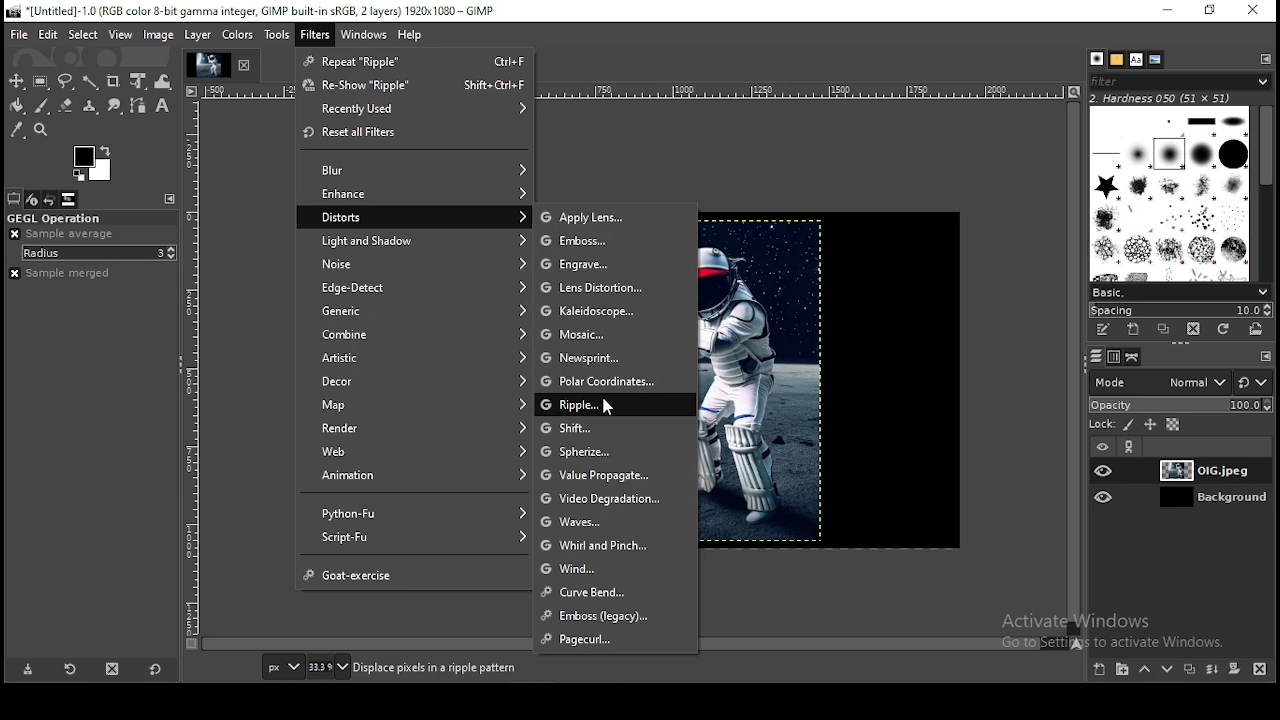 This screenshot has height=720, width=1280. I want to click on device status, so click(33, 200).